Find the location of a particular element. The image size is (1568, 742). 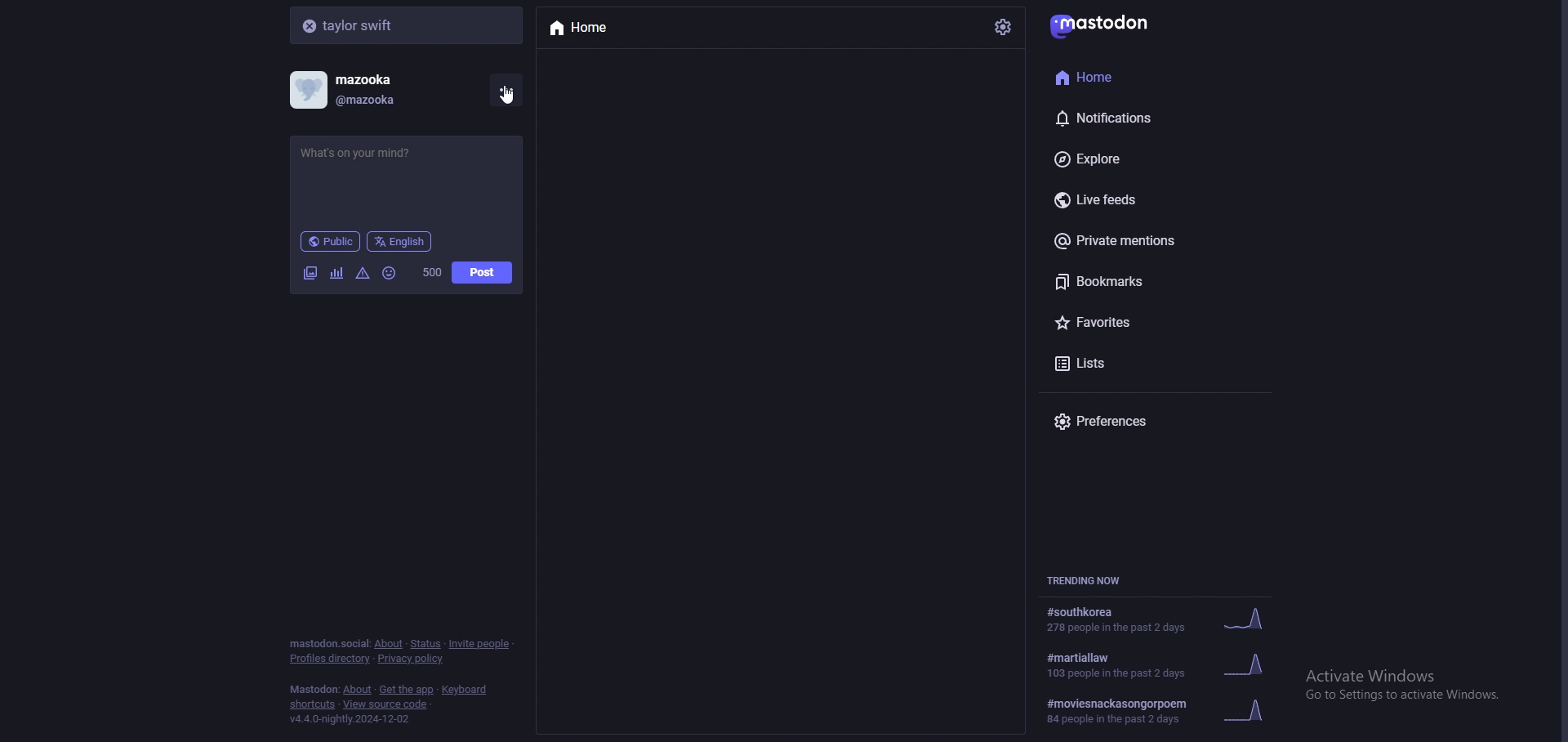

status is located at coordinates (426, 644).